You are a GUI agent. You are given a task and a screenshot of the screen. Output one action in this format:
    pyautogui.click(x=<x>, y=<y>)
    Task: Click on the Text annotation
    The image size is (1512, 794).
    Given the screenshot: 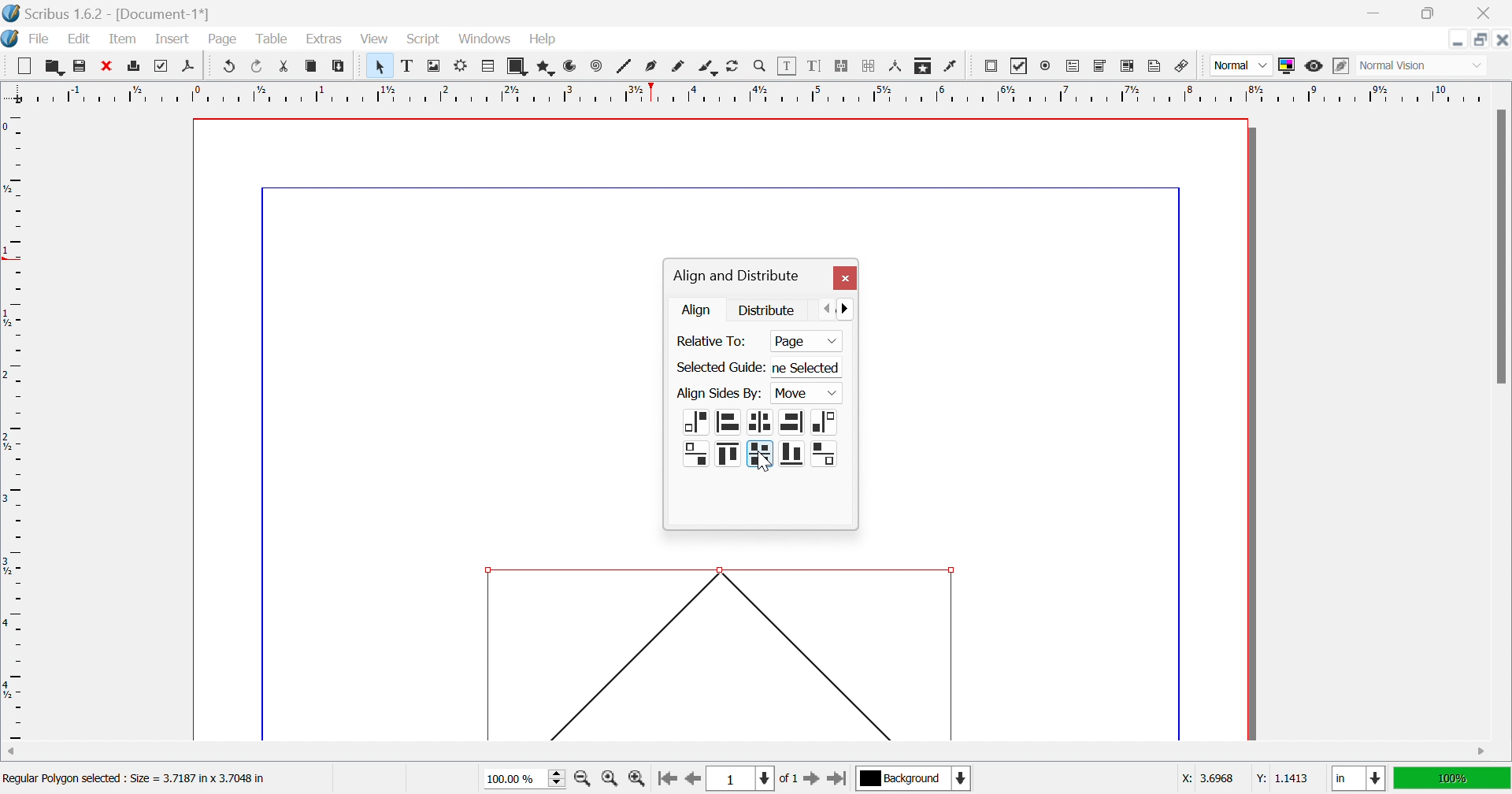 What is the action you would take?
    pyautogui.click(x=1154, y=66)
    